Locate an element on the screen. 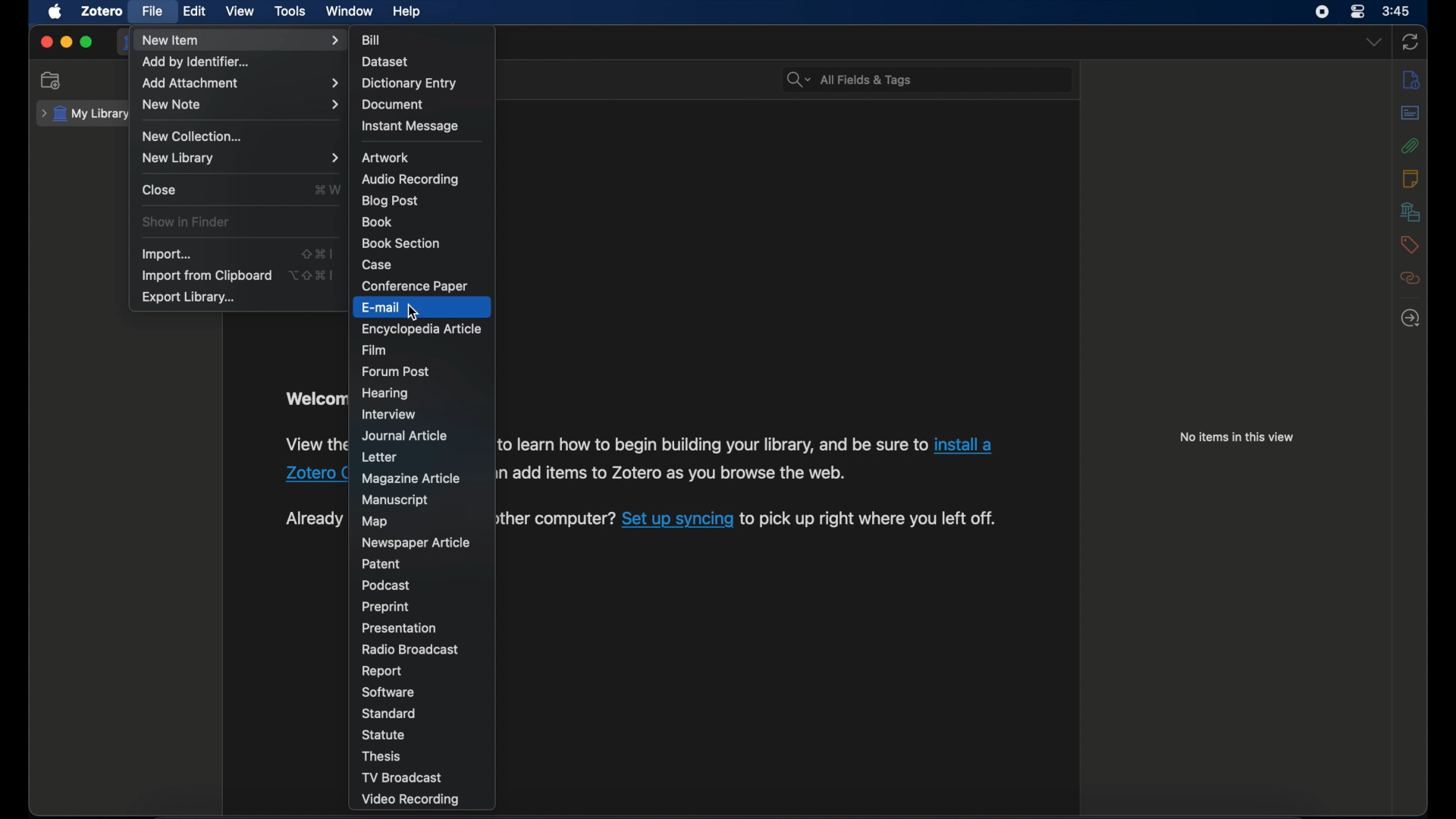 This screenshot has height=819, width=1456. new collection is located at coordinates (191, 136).